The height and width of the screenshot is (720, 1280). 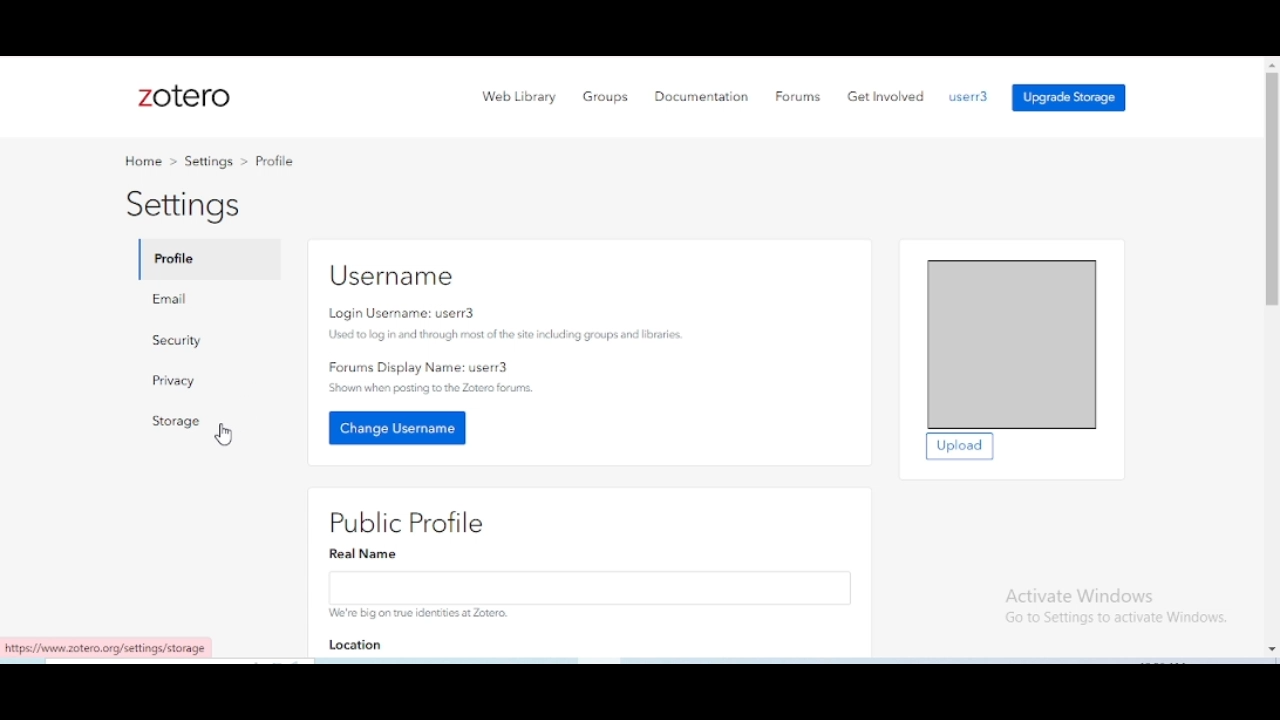 What do you see at coordinates (521, 96) in the screenshot?
I see `web library` at bounding box center [521, 96].